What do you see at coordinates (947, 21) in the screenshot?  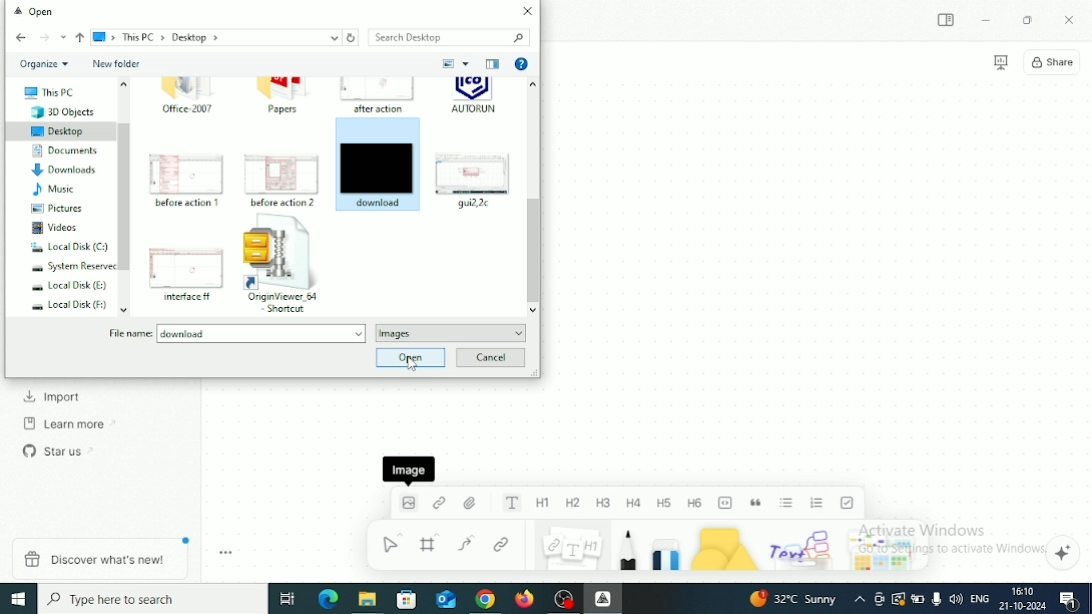 I see `Expand sidebar` at bounding box center [947, 21].